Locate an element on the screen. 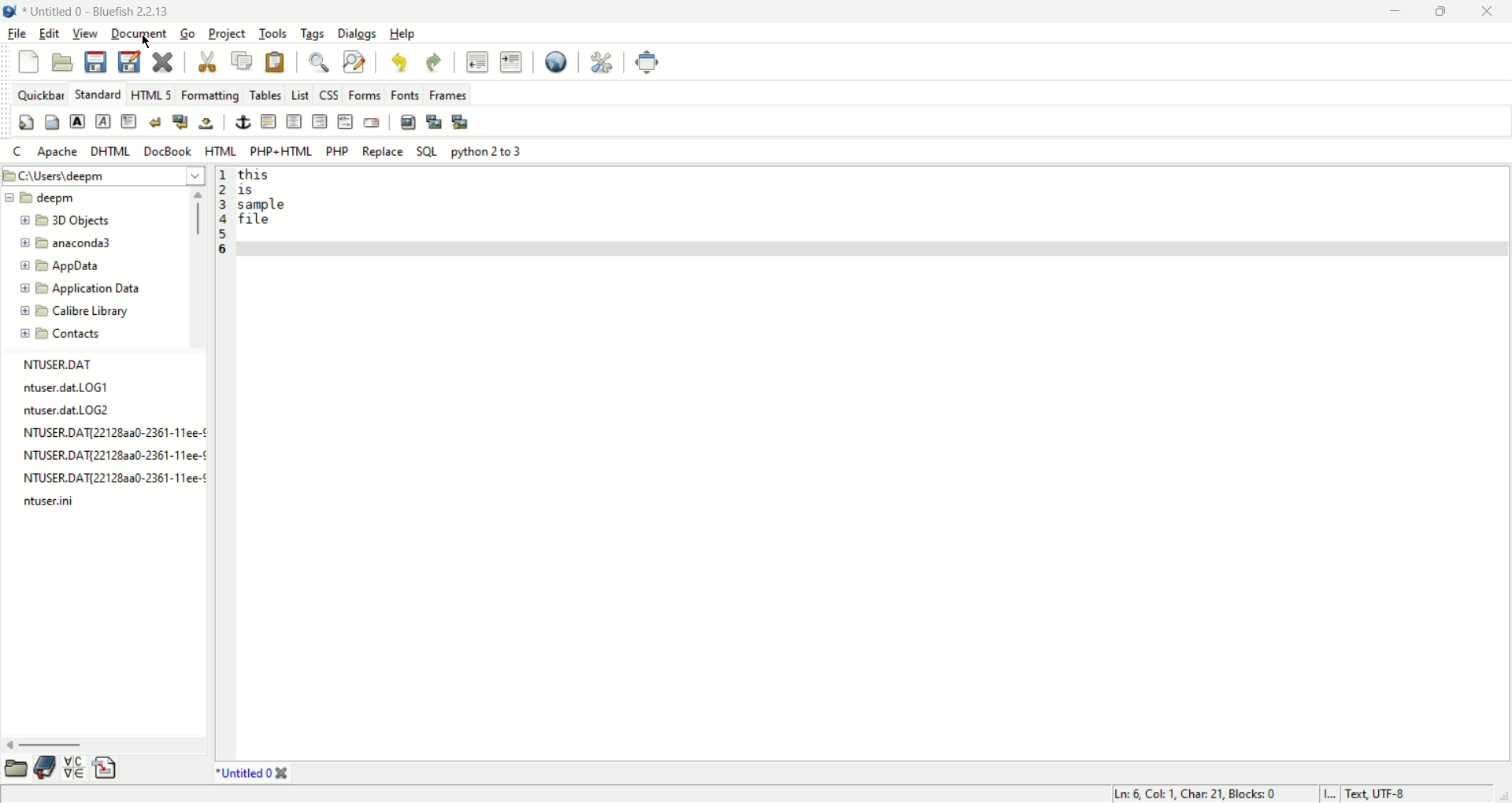 The height and width of the screenshot is (803, 1512). bookmark is located at coordinates (46, 767).